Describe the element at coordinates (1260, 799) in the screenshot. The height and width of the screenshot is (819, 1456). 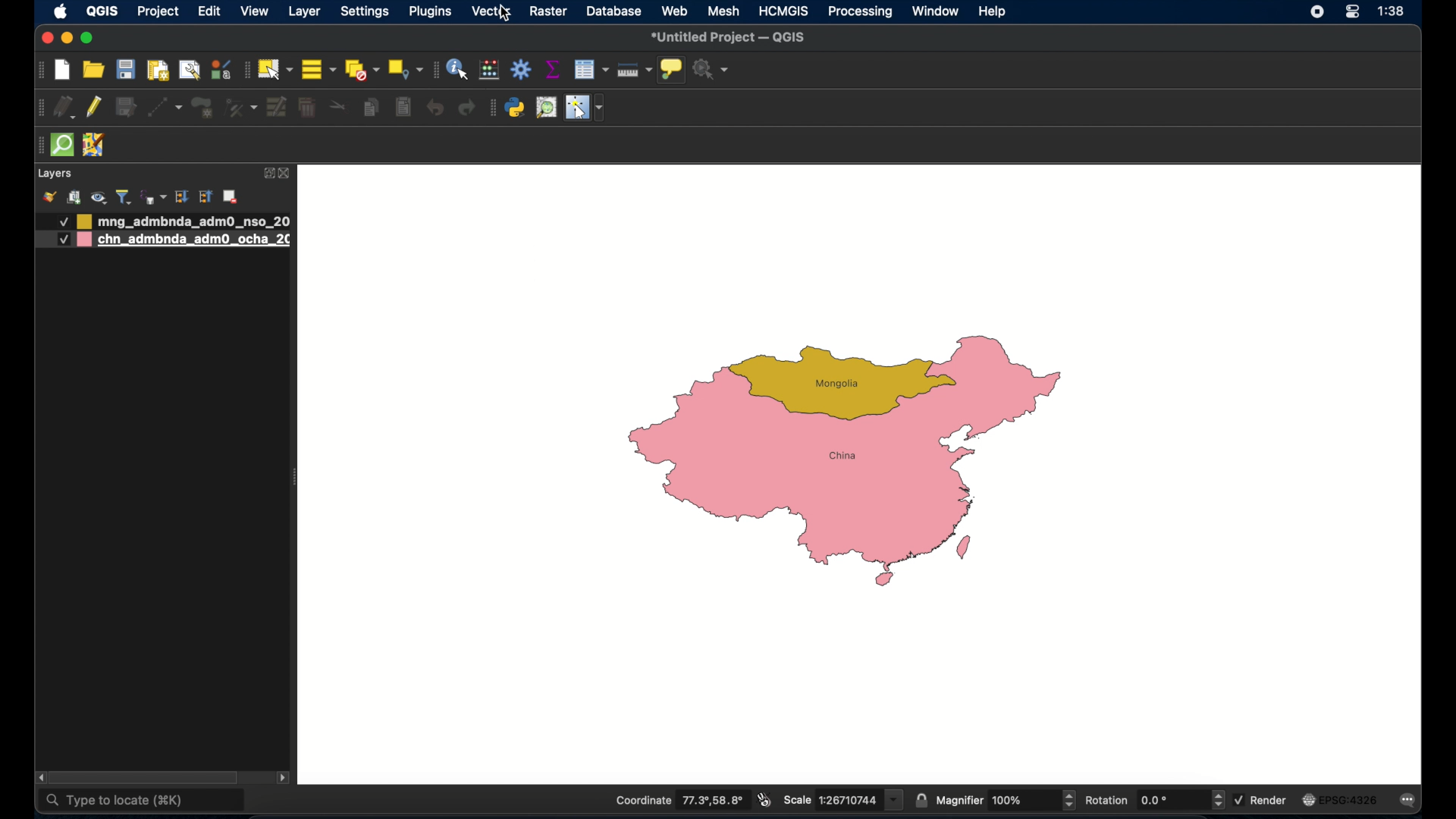
I see `render` at that location.